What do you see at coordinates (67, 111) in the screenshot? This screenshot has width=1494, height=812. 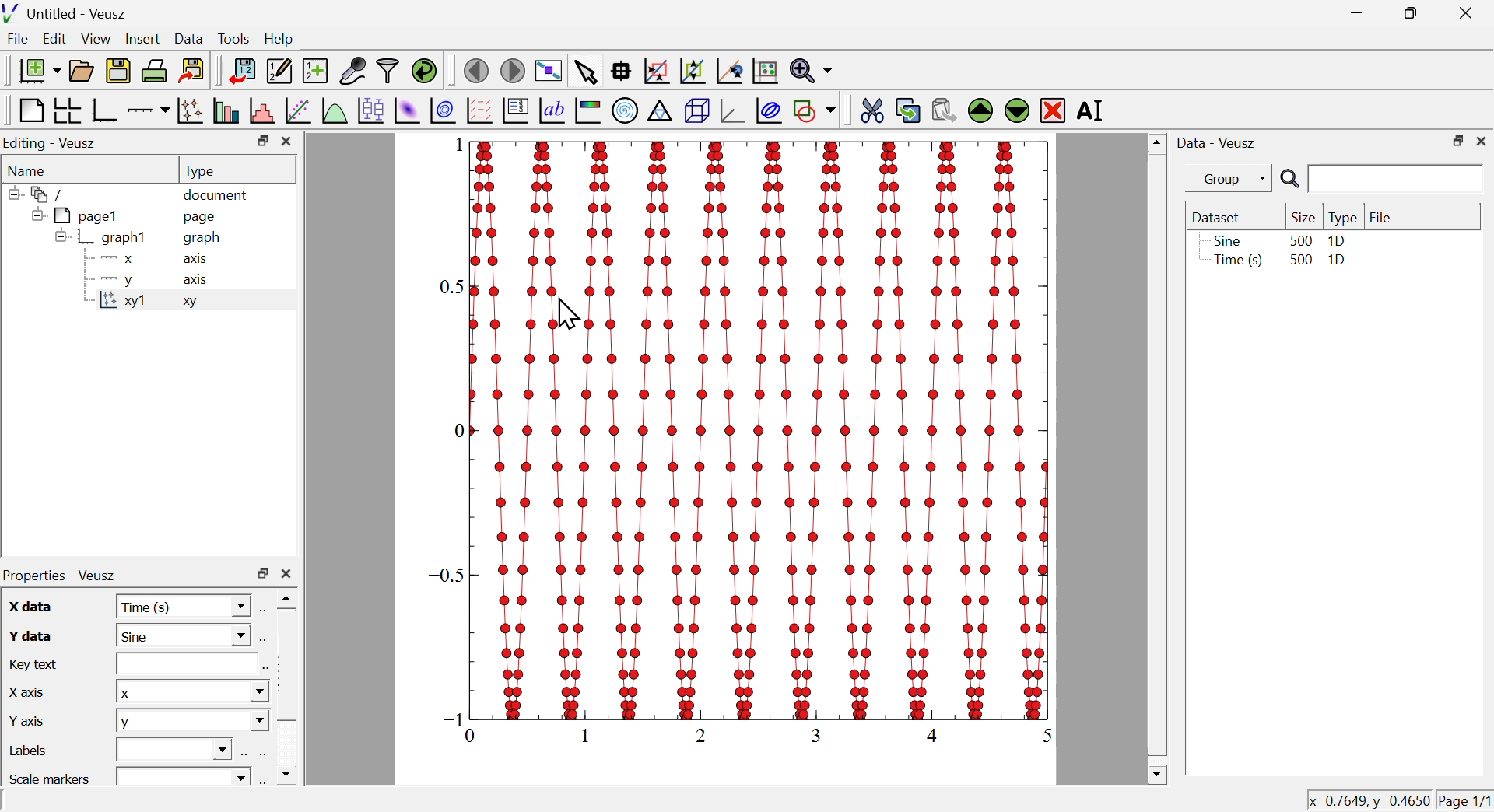 I see `arrange graphs in a grid` at bounding box center [67, 111].